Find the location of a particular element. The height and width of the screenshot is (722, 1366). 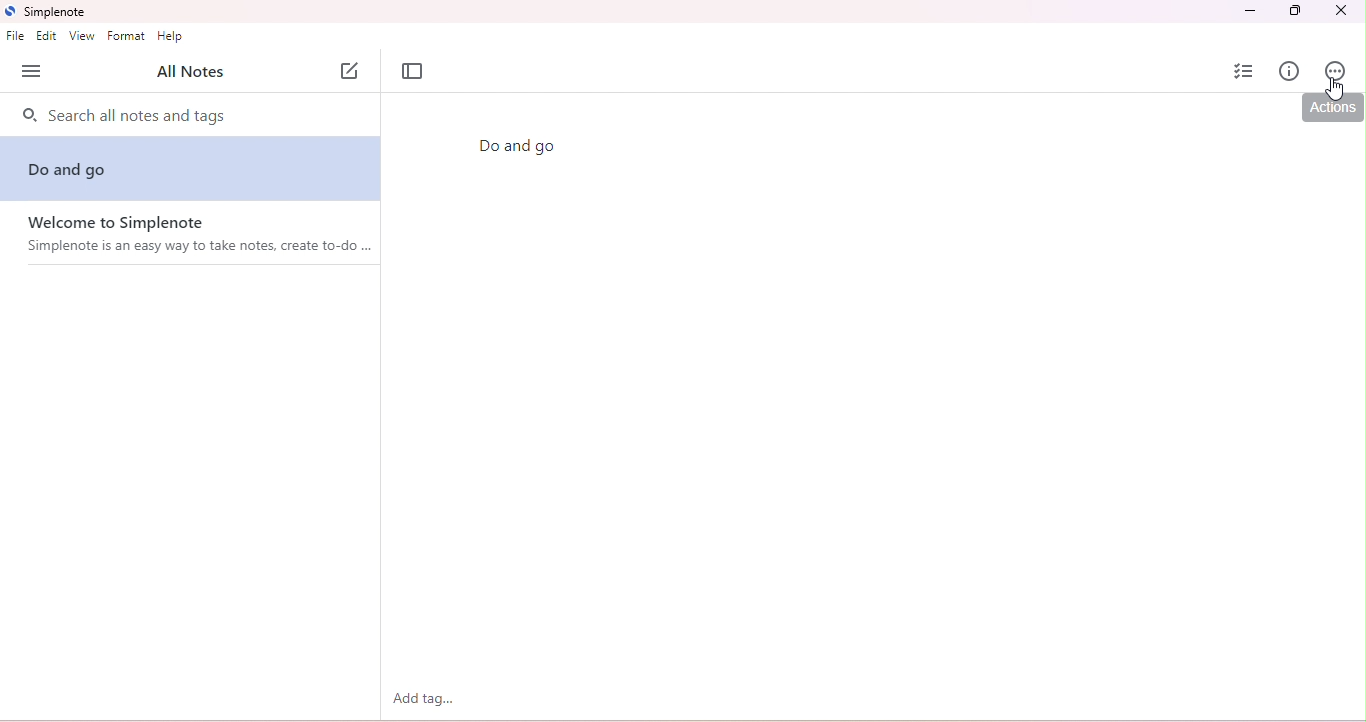

minimize is located at coordinates (1248, 11).